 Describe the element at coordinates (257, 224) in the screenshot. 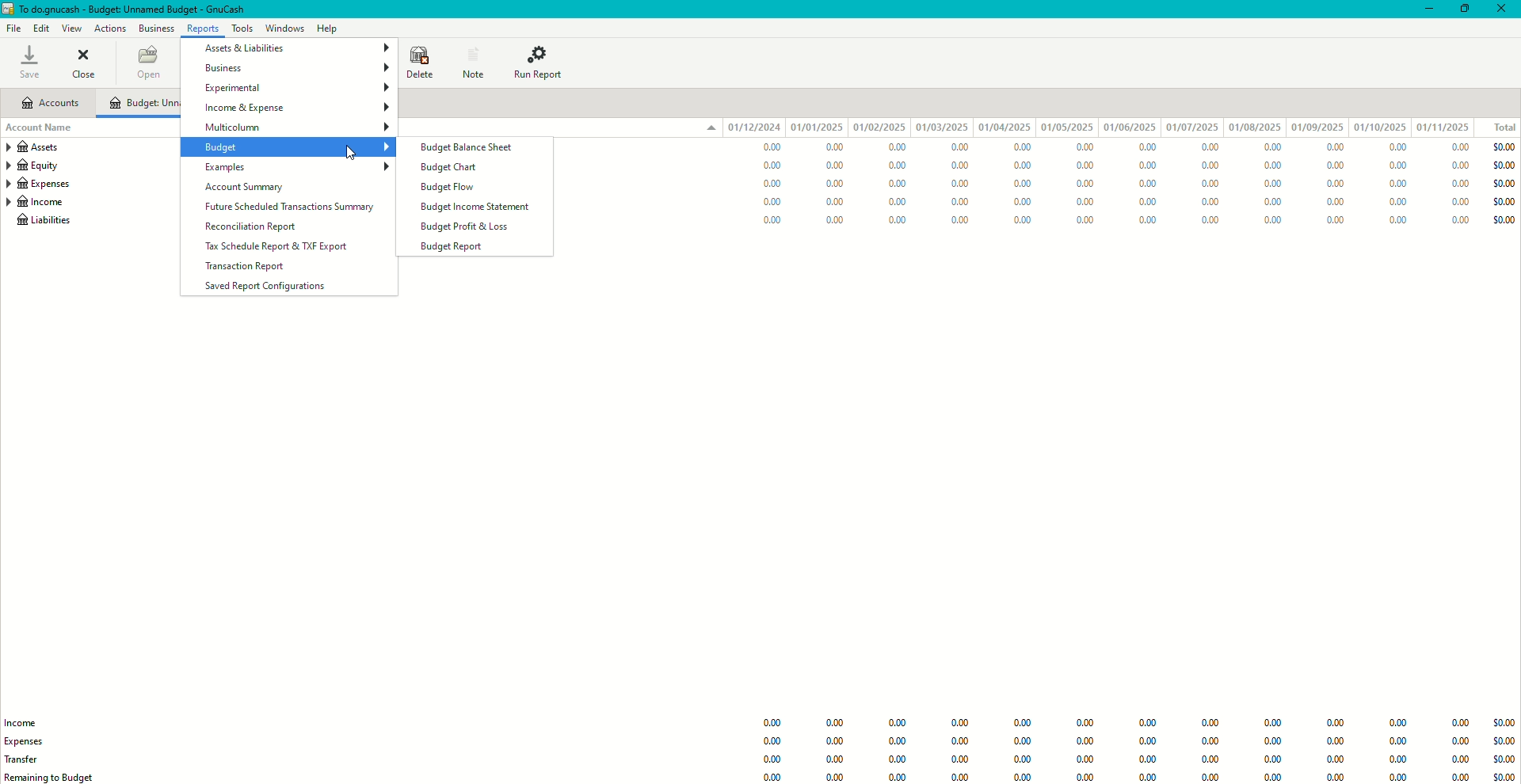

I see `Reconciliation Report` at that location.